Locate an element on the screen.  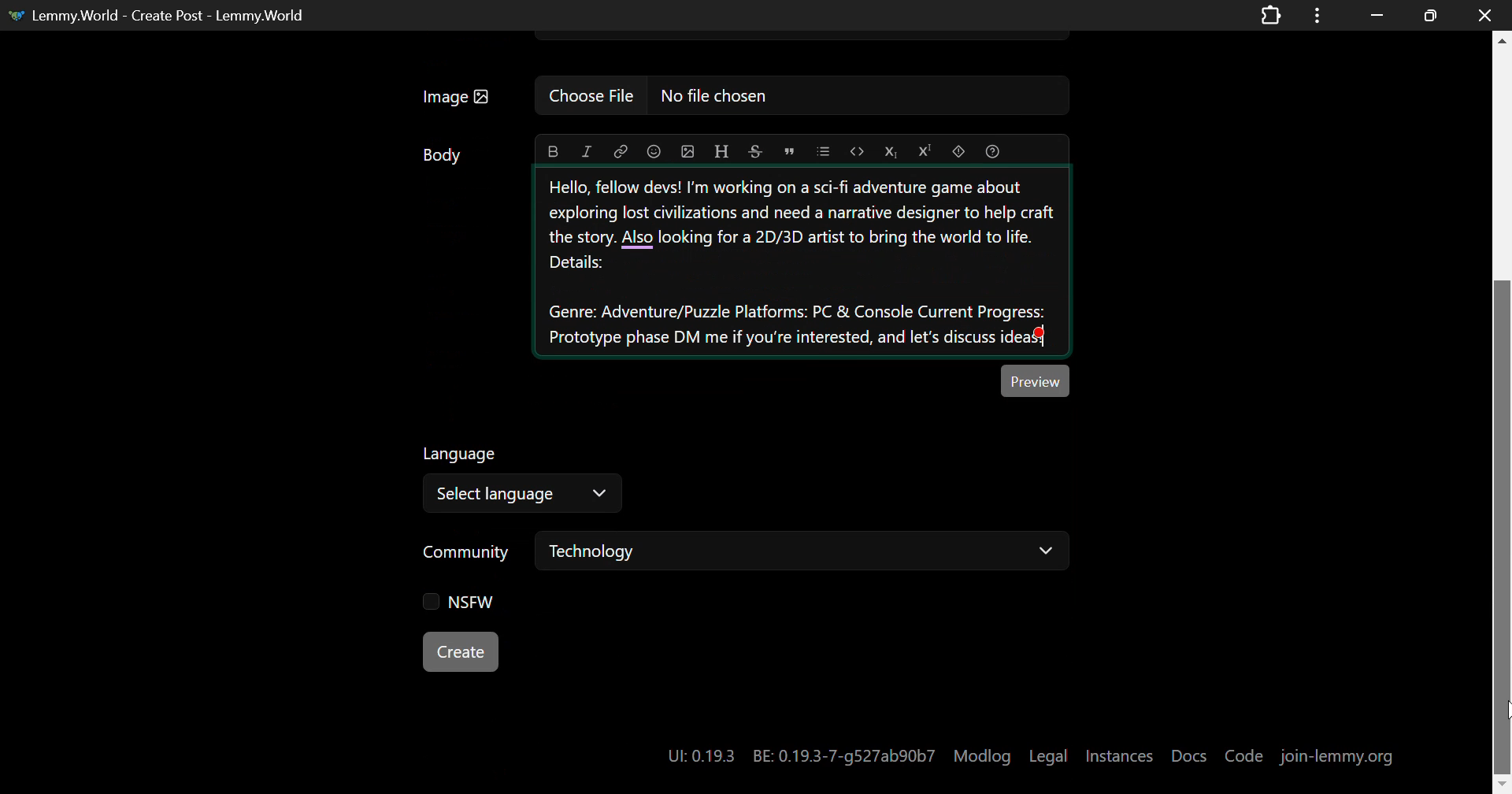
header is located at coordinates (723, 149).